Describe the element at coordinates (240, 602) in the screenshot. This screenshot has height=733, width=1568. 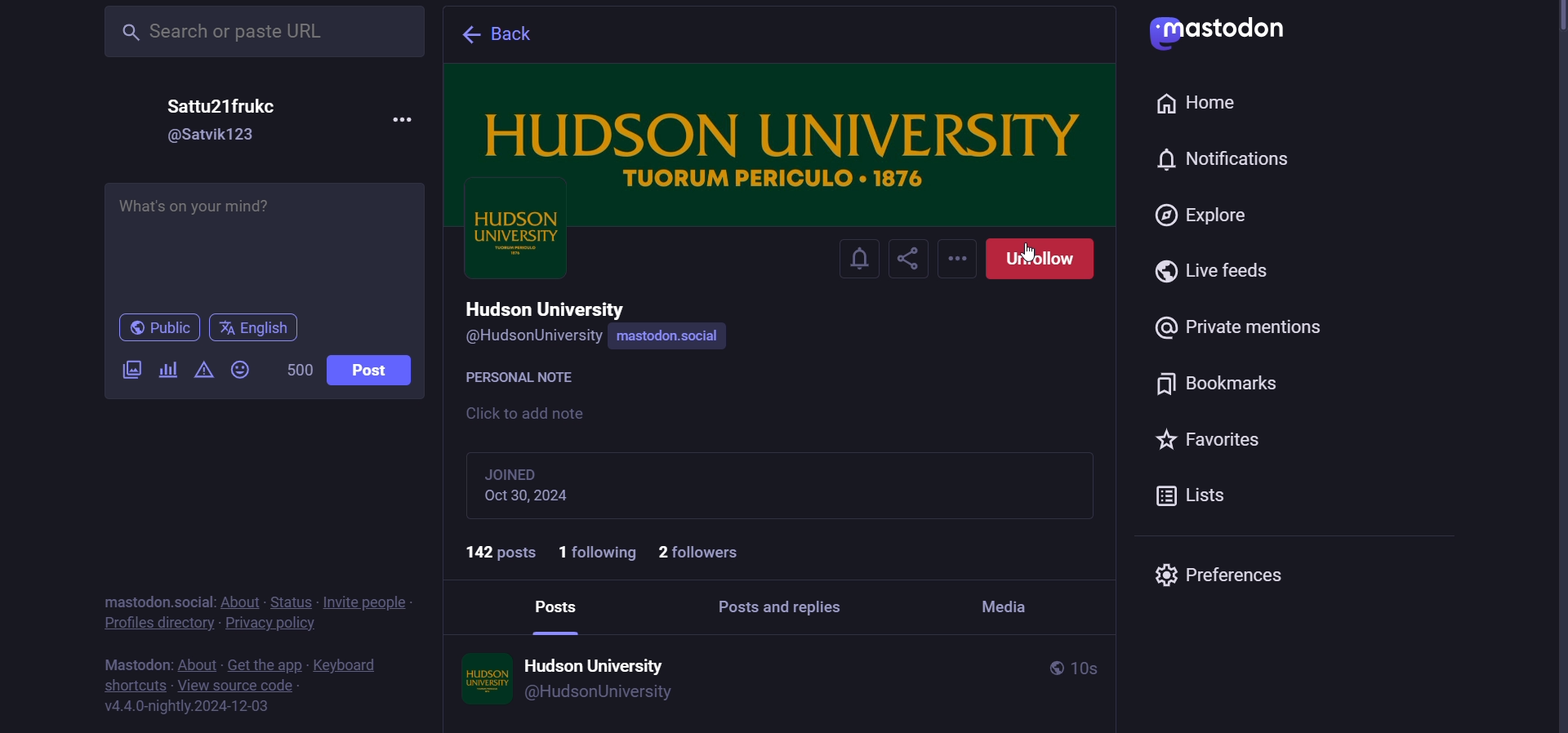
I see `about` at that location.